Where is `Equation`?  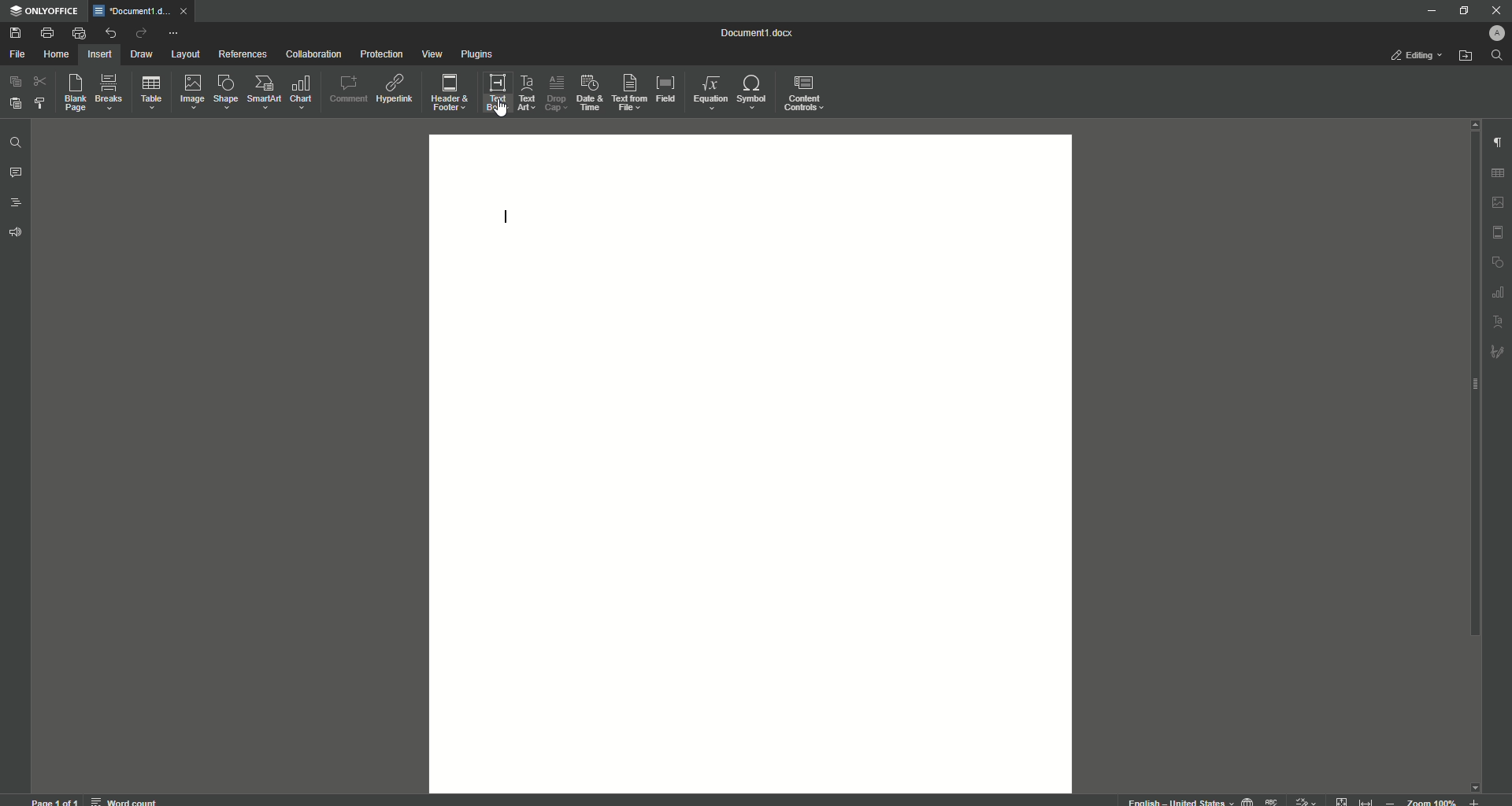 Equation is located at coordinates (706, 91).